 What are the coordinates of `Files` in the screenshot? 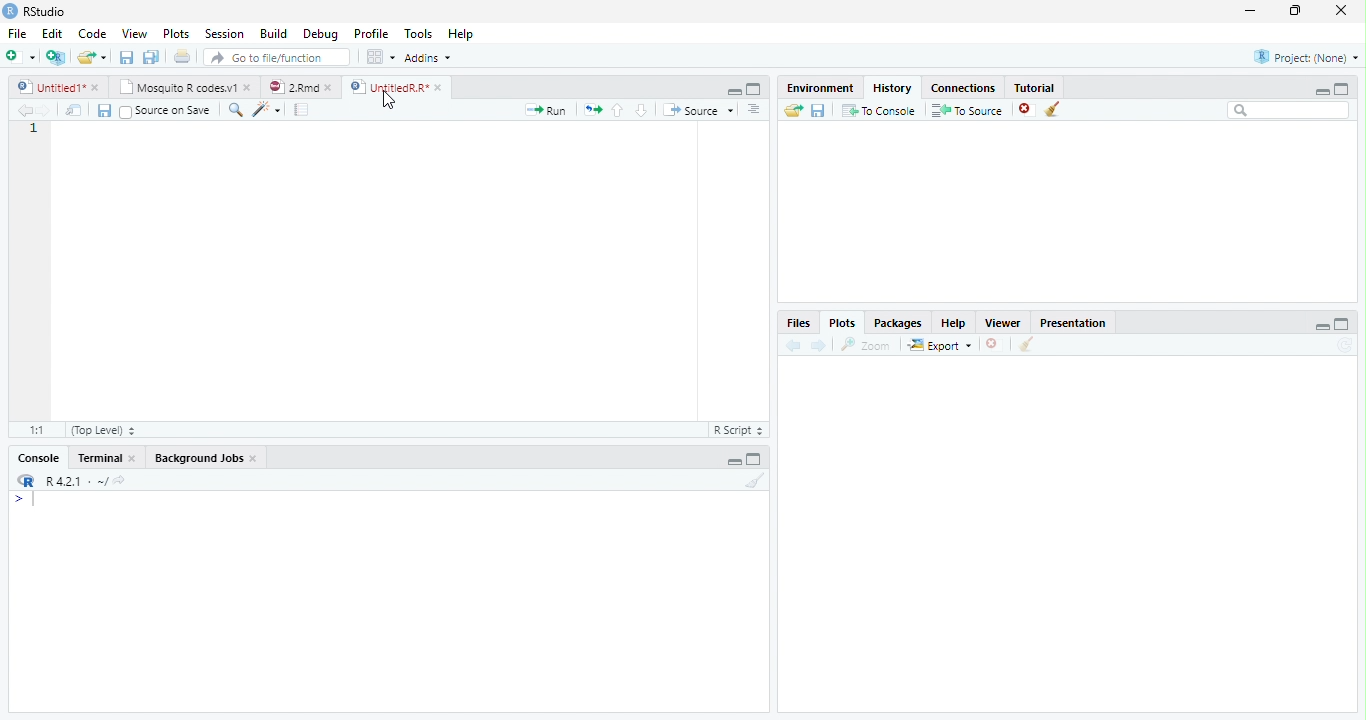 It's located at (802, 323).